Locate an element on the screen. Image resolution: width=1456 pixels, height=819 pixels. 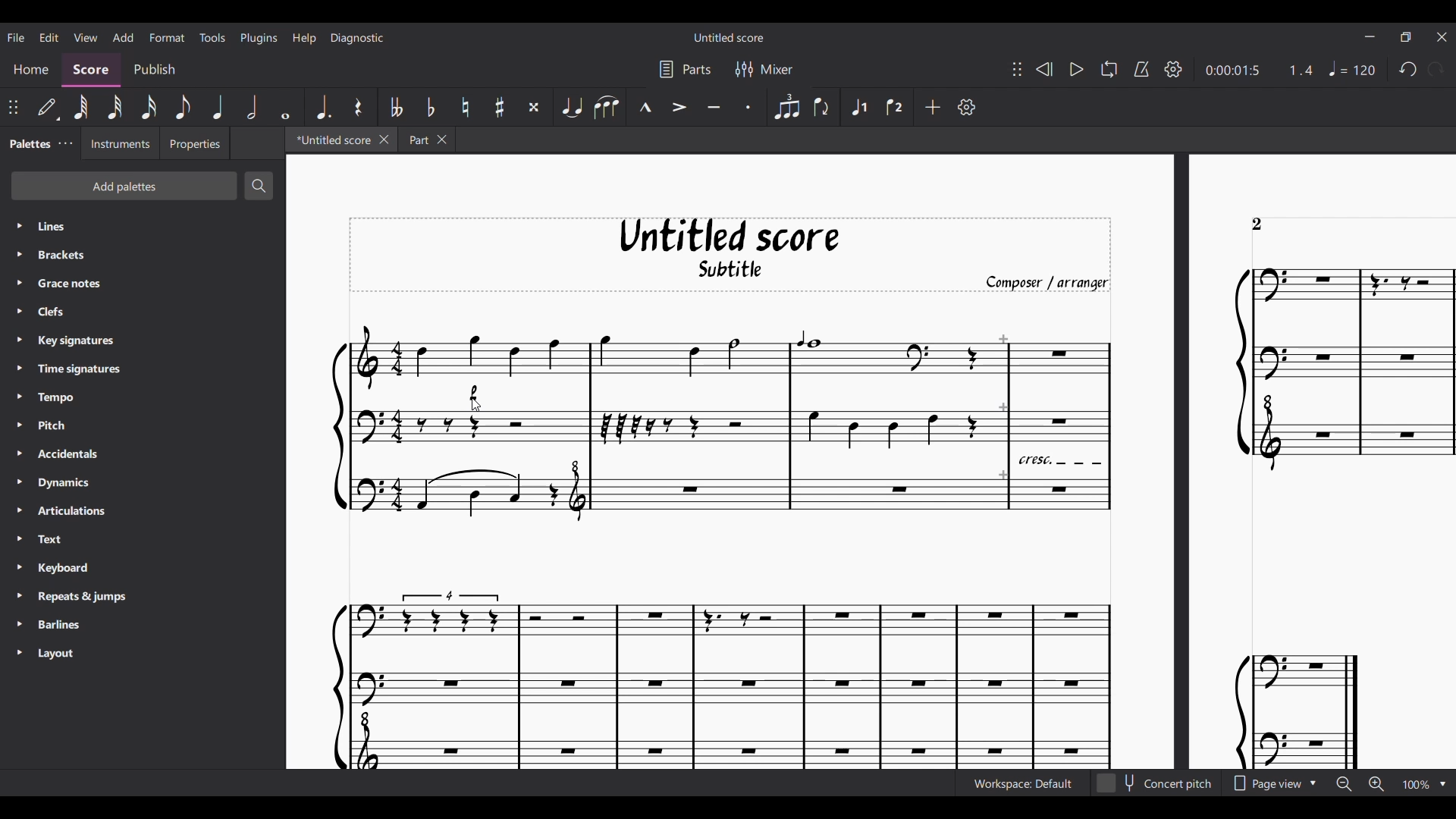
Flip direction is located at coordinates (824, 107).